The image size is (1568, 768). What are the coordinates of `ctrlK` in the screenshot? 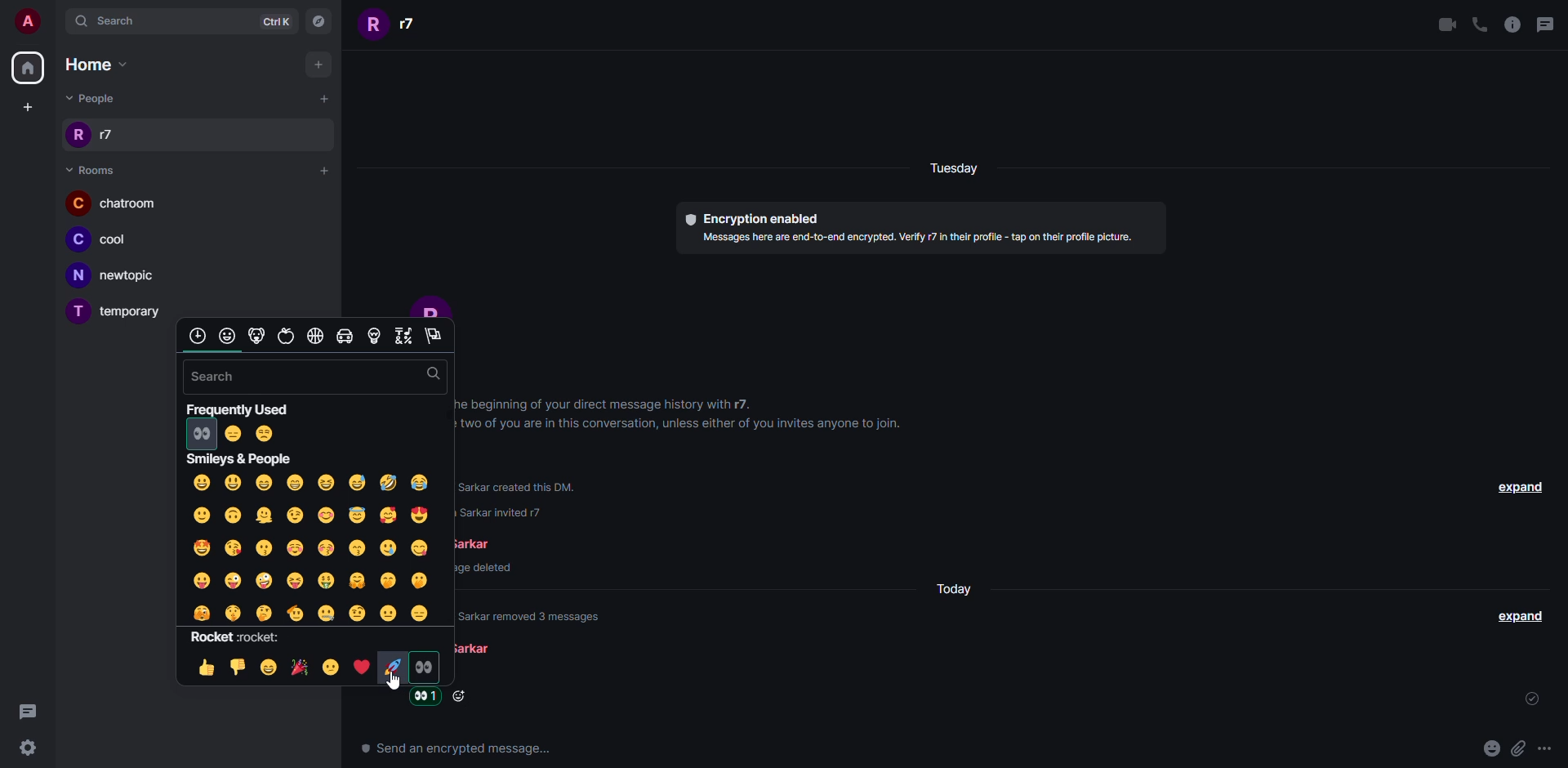 It's located at (279, 21).